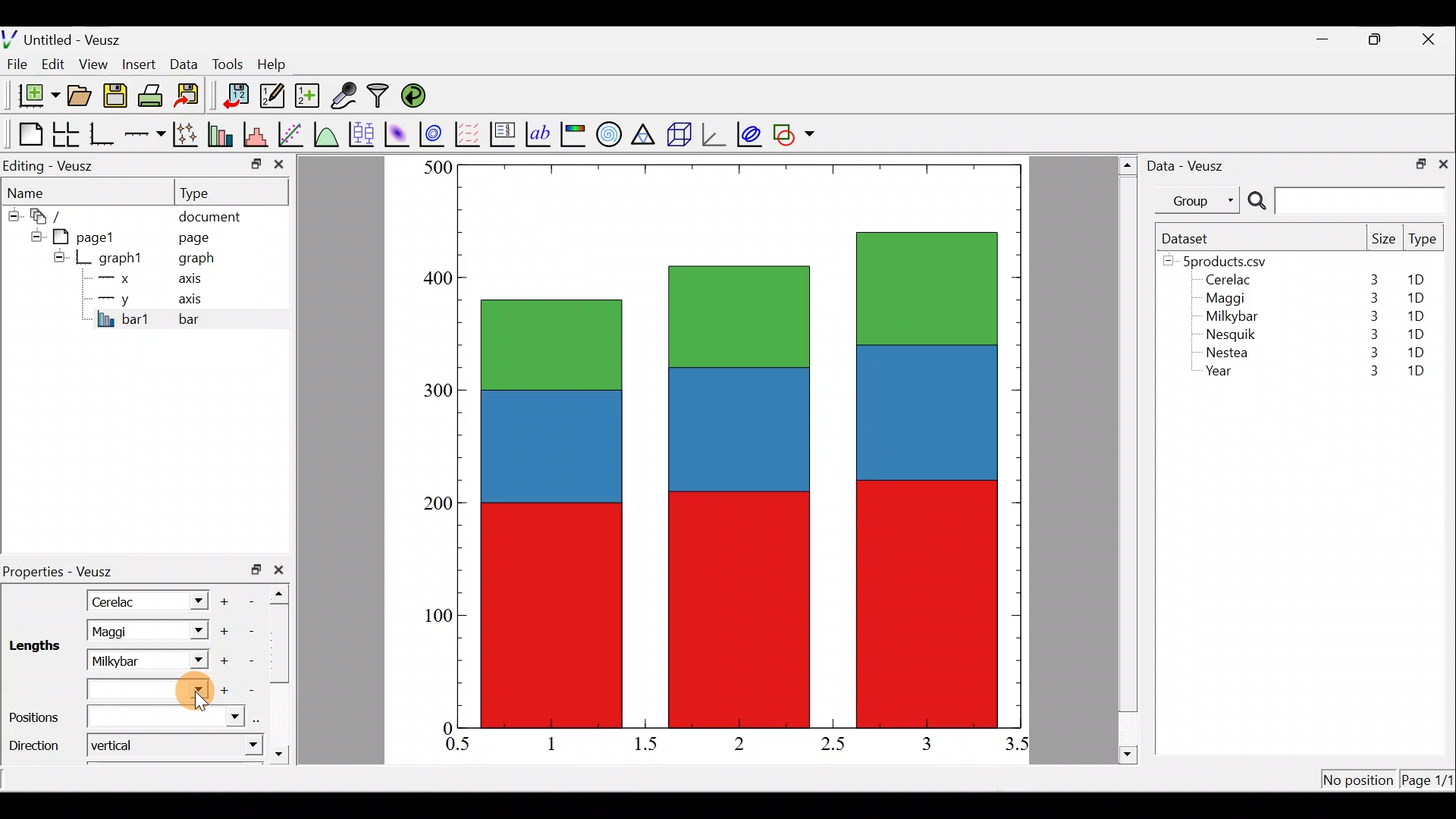 This screenshot has height=819, width=1456. I want to click on Year, so click(1222, 375).